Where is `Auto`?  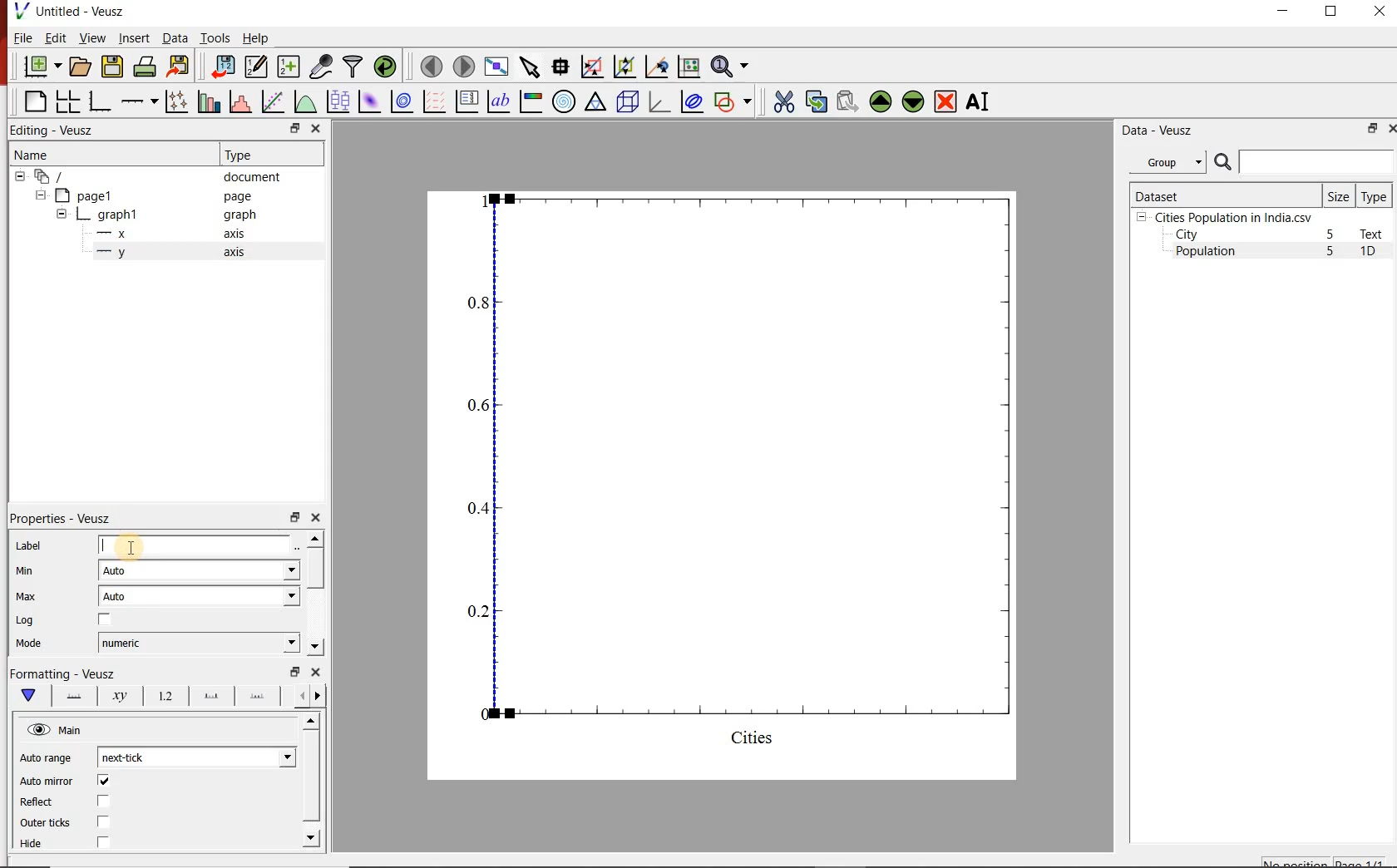 Auto is located at coordinates (199, 596).